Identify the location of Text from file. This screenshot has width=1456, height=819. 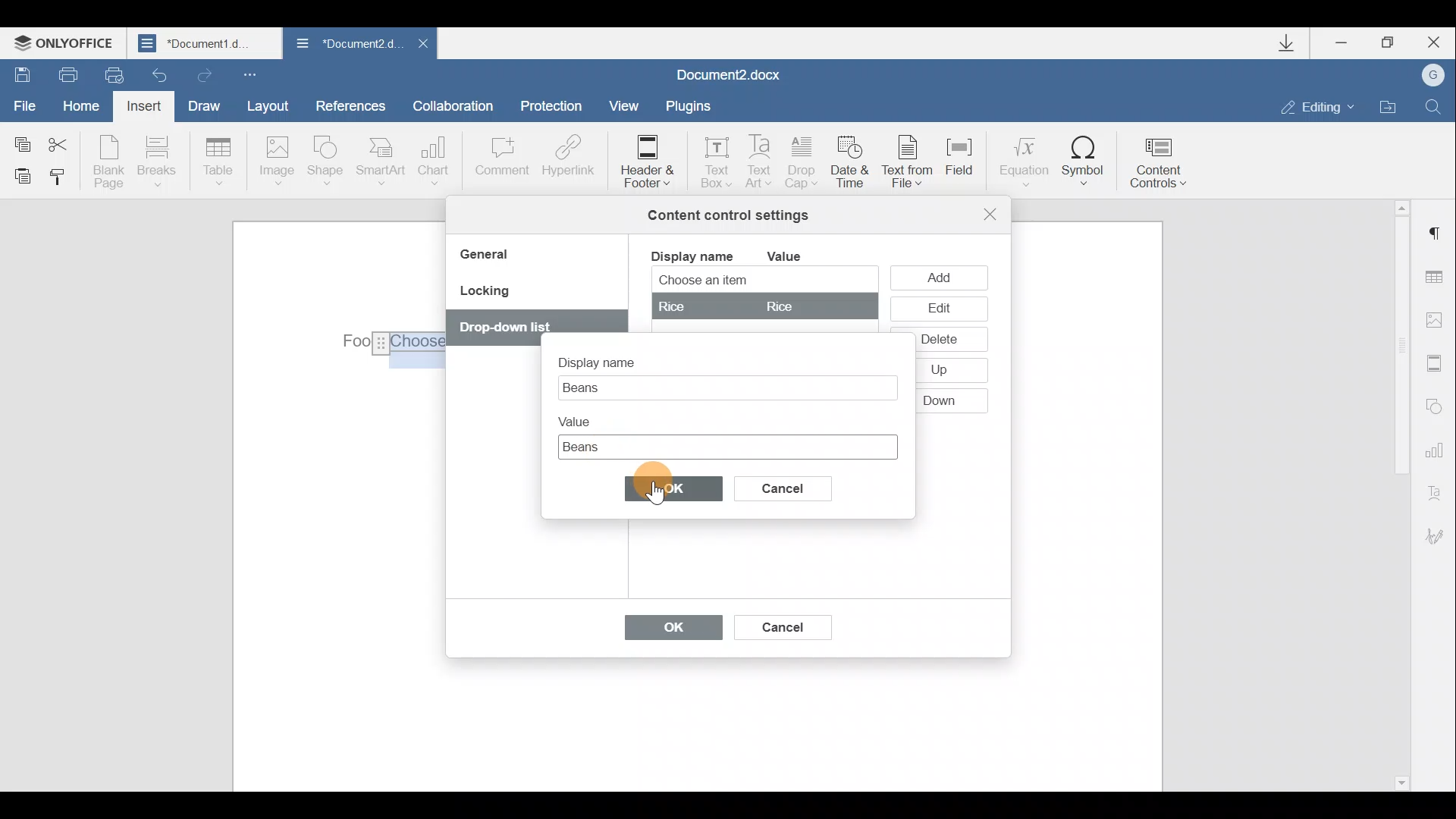
(912, 163).